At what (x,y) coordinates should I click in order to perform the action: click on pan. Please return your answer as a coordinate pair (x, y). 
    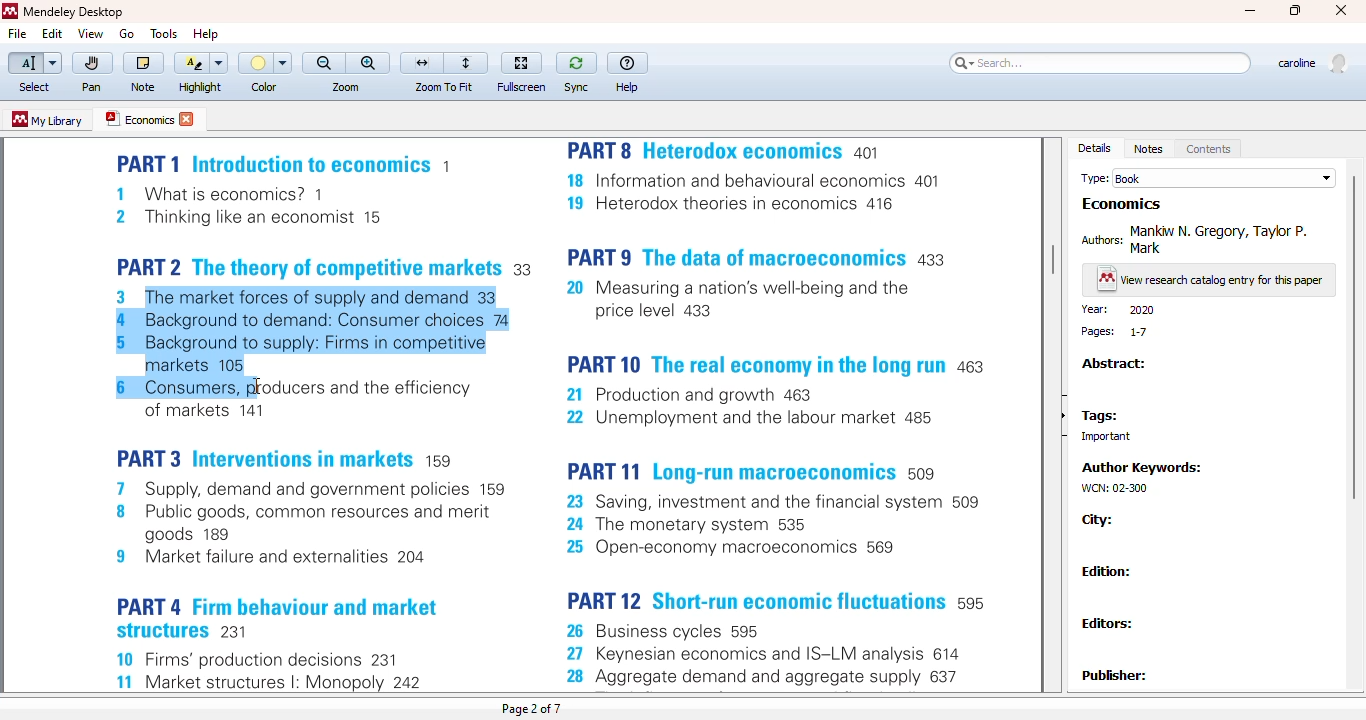
    Looking at the image, I should click on (93, 64).